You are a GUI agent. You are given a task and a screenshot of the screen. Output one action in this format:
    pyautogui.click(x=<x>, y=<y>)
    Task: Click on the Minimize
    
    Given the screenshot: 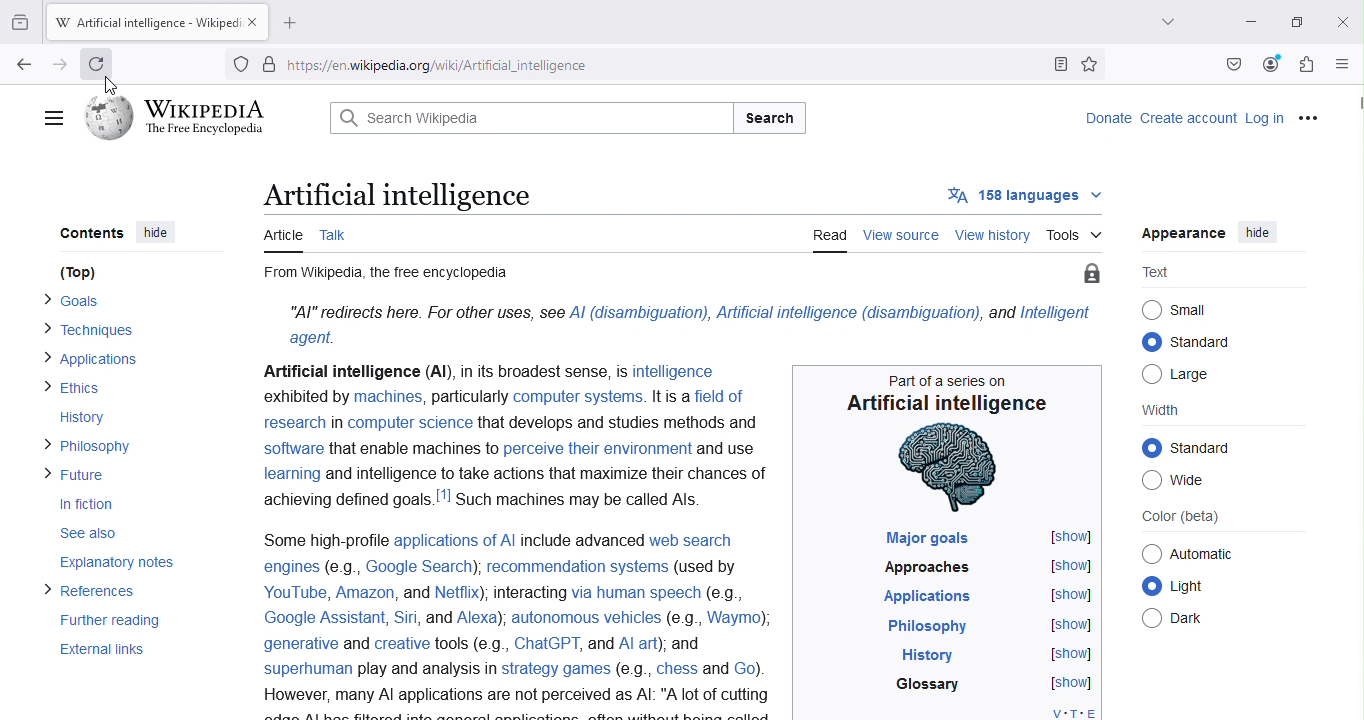 What is the action you would take?
    pyautogui.click(x=1240, y=23)
    